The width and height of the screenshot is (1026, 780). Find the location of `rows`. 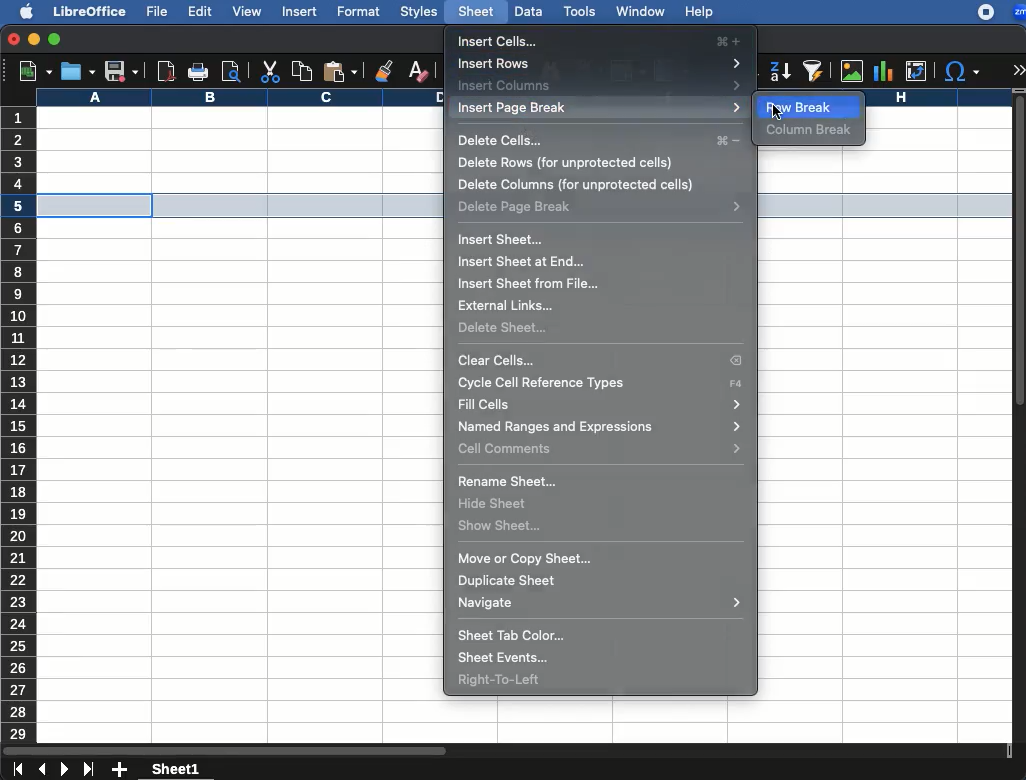

rows is located at coordinates (17, 425).